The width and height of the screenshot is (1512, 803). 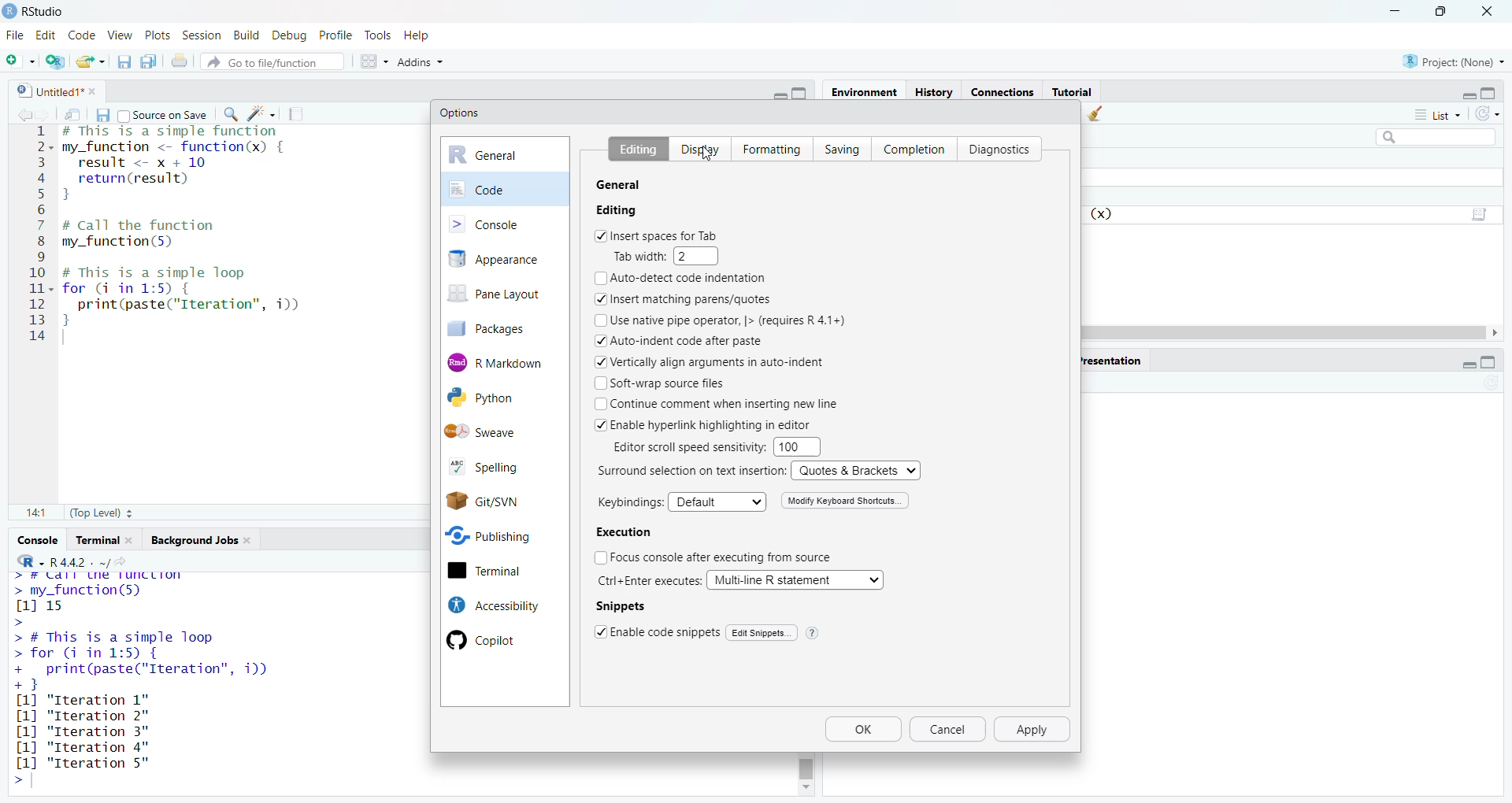 What do you see at coordinates (99, 515) in the screenshot?
I see `(Top Level)` at bounding box center [99, 515].